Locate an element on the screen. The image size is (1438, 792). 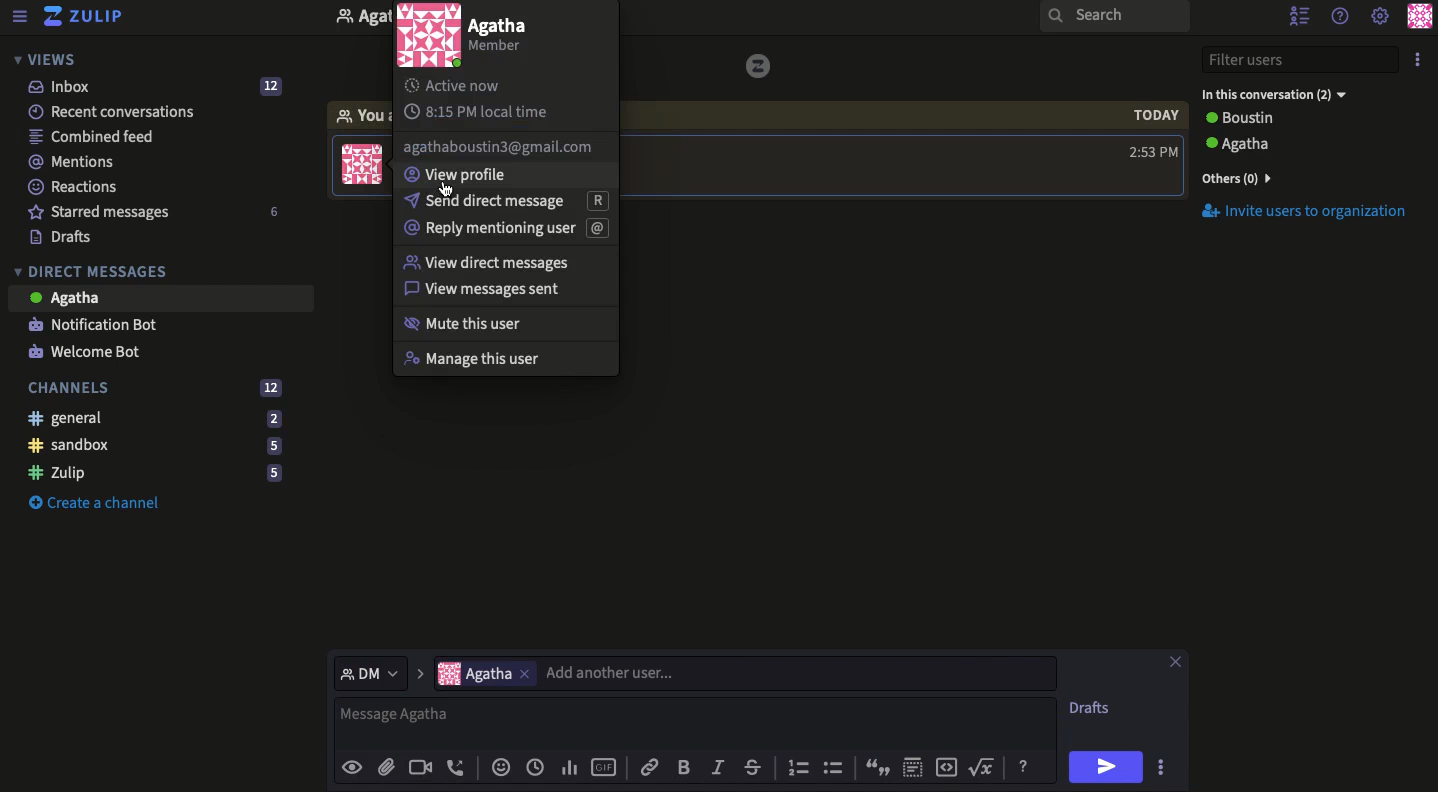
Direct messages is located at coordinates (96, 270).